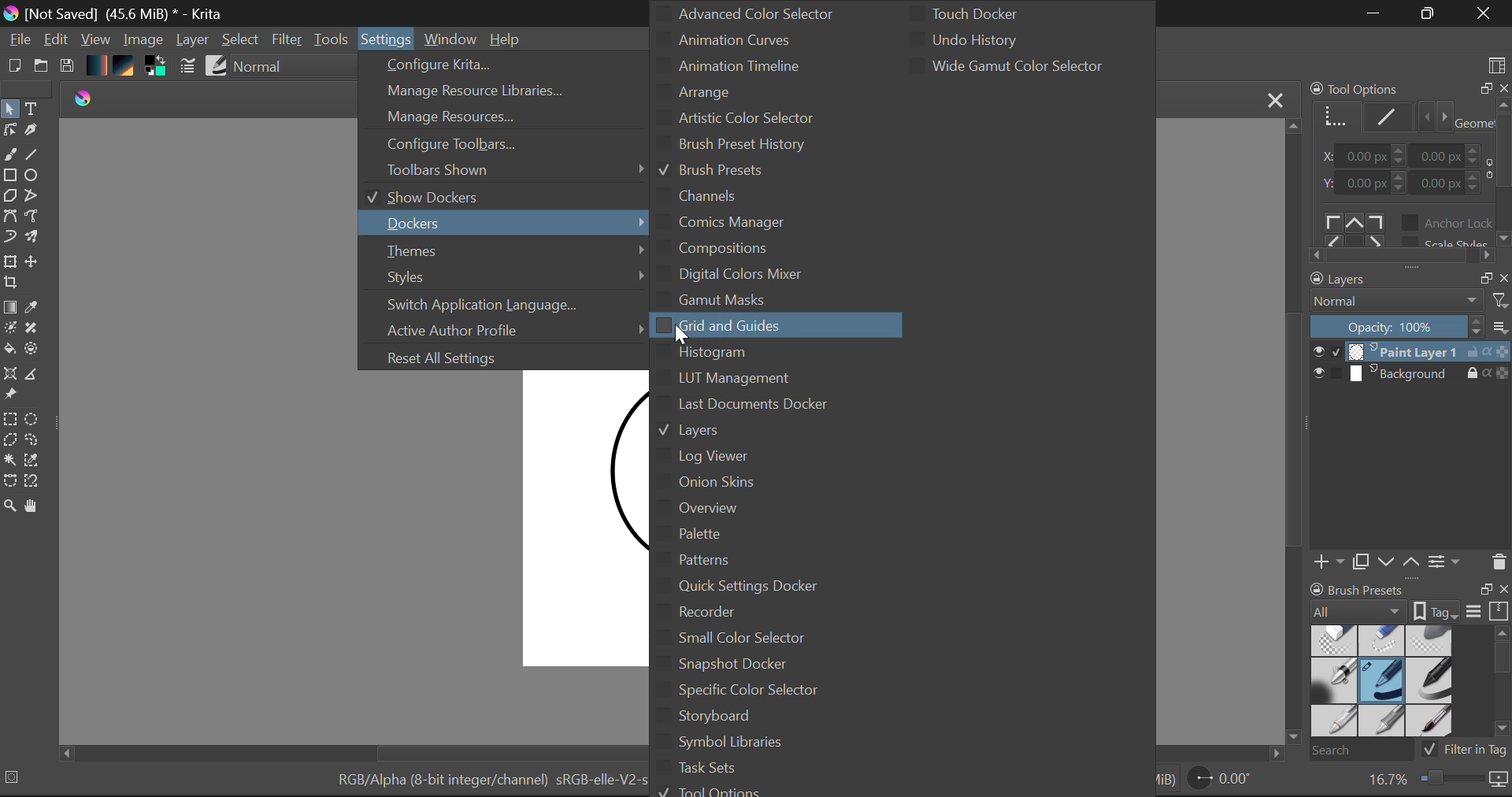 The image size is (1512, 797). Describe the element at coordinates (96, 39) in the screenshot. I see `View` at that location.